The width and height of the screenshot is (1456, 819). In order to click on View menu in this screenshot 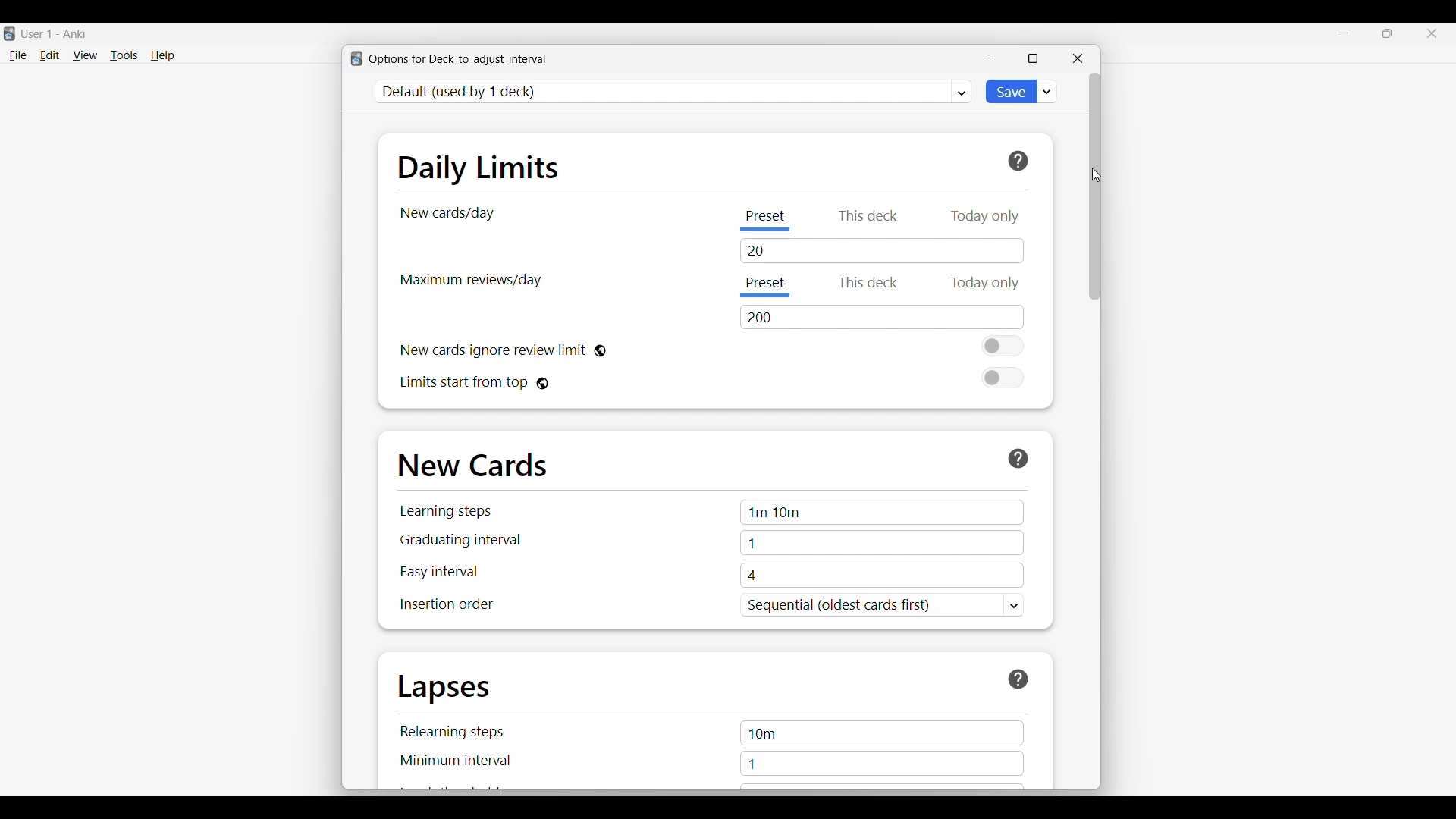, I will do `click(85, 55)`.